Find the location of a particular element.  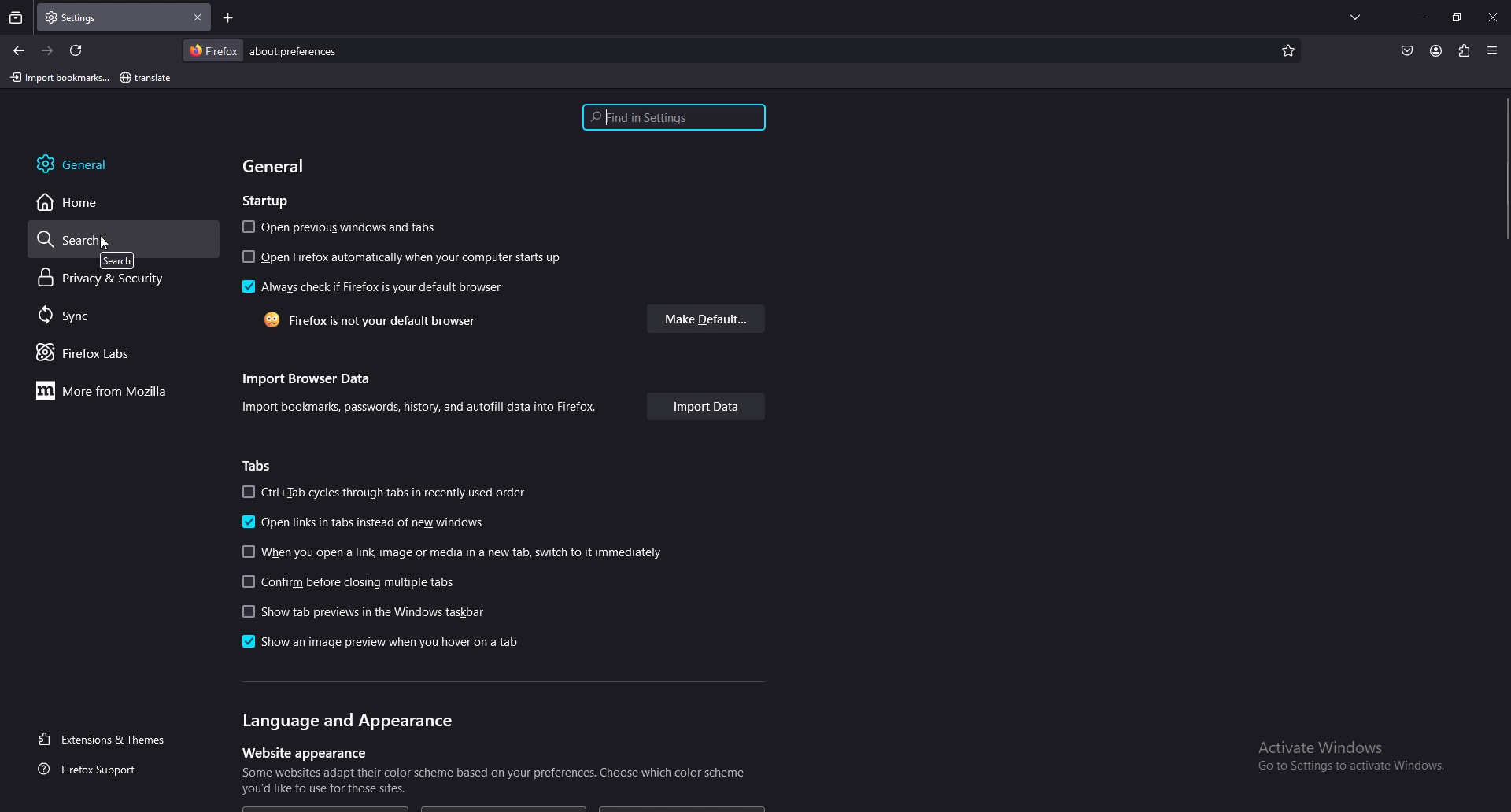

extensions and themes is located at coordinates (107, 740).